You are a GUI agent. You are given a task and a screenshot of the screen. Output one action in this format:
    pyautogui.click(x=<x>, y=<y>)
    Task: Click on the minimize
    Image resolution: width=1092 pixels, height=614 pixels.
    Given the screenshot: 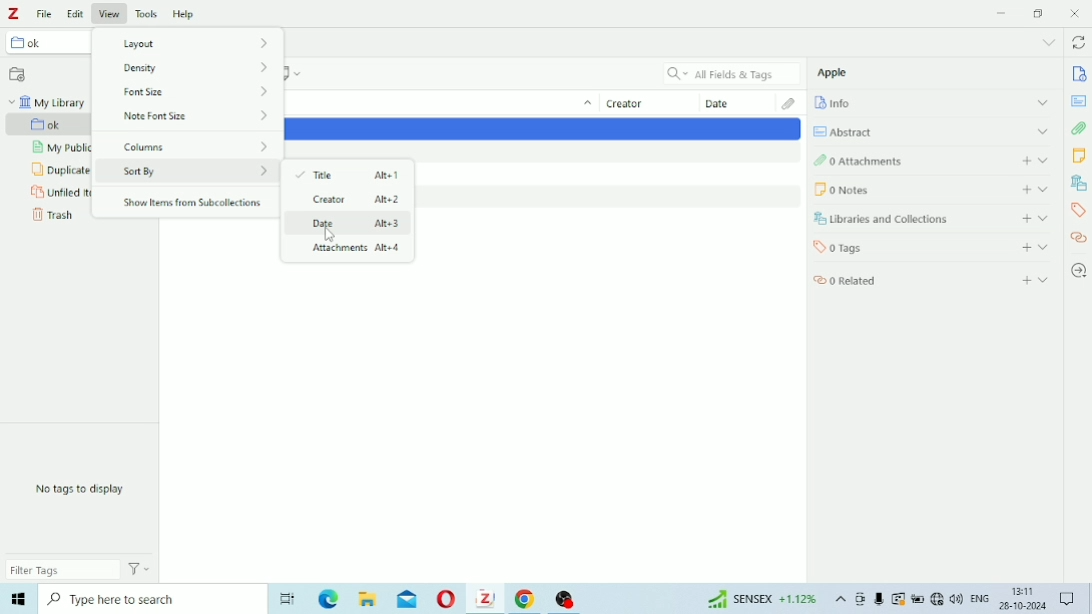 What is the action you would take?
    pyautogui.click(x=1002, y=12)
    